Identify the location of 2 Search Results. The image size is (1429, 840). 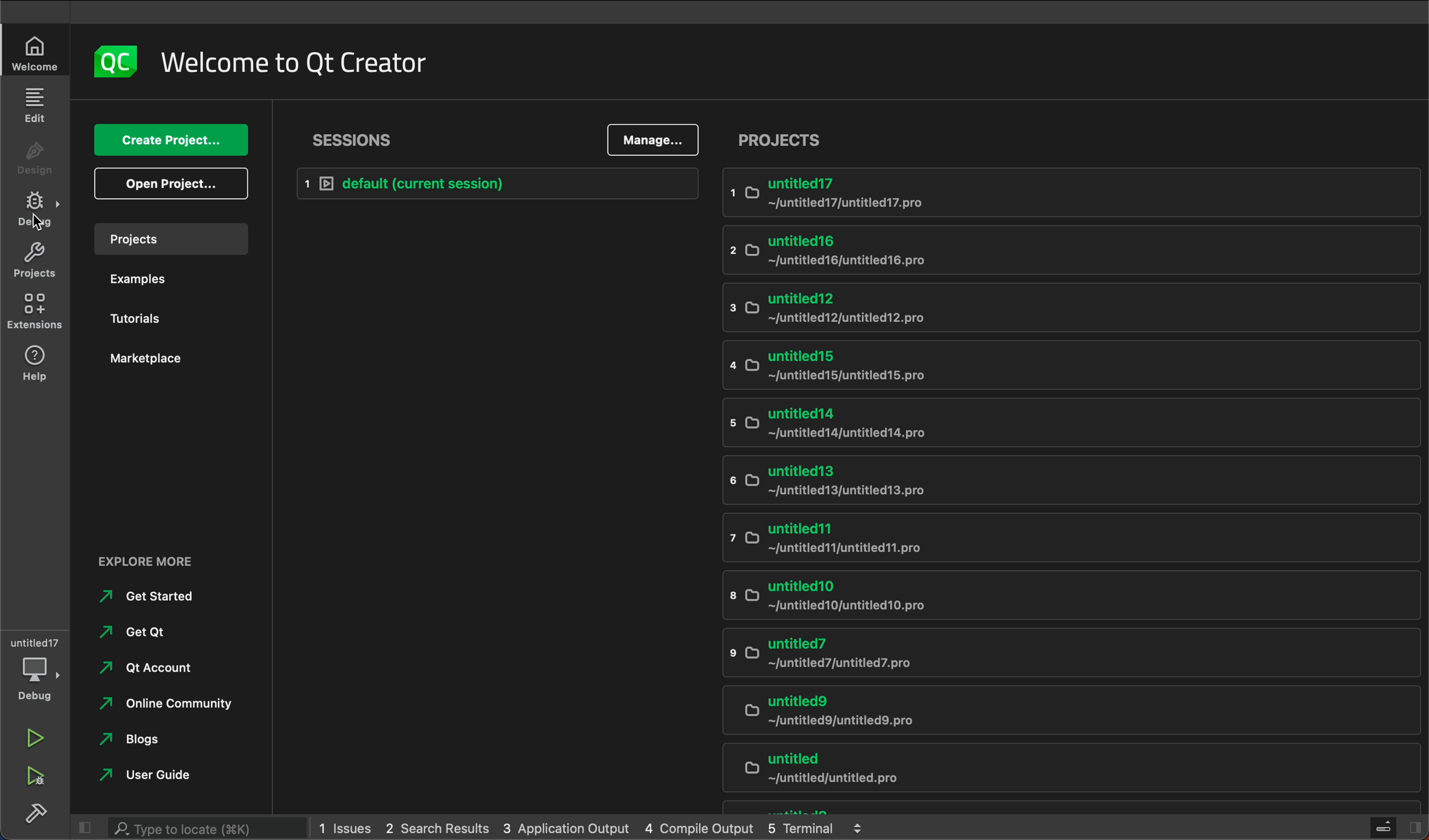
(434, 827).